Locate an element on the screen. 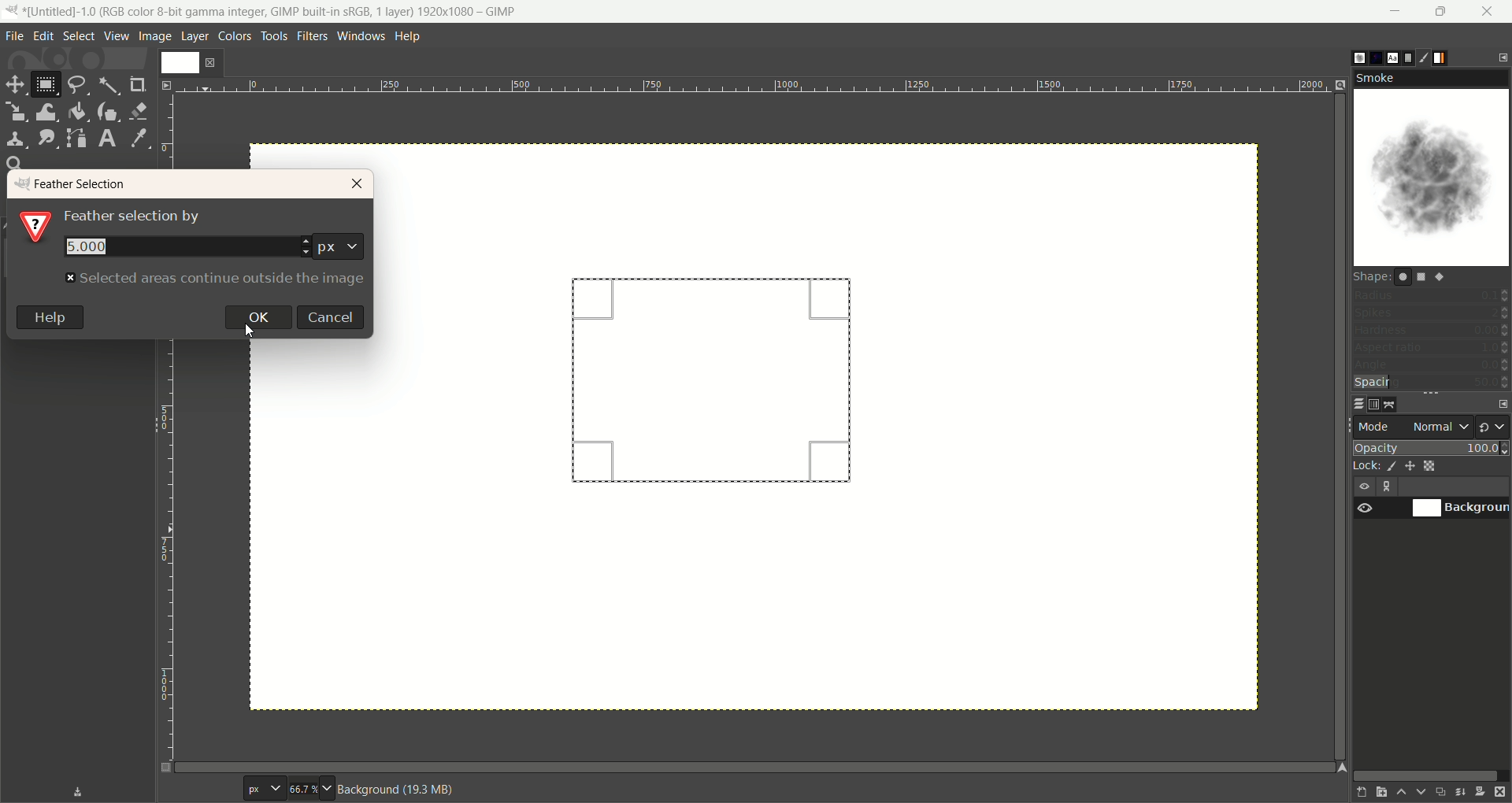 Image resolution: width=1512 pixels, height=803 pixels. visibility is located at coordinates (1366, 509).